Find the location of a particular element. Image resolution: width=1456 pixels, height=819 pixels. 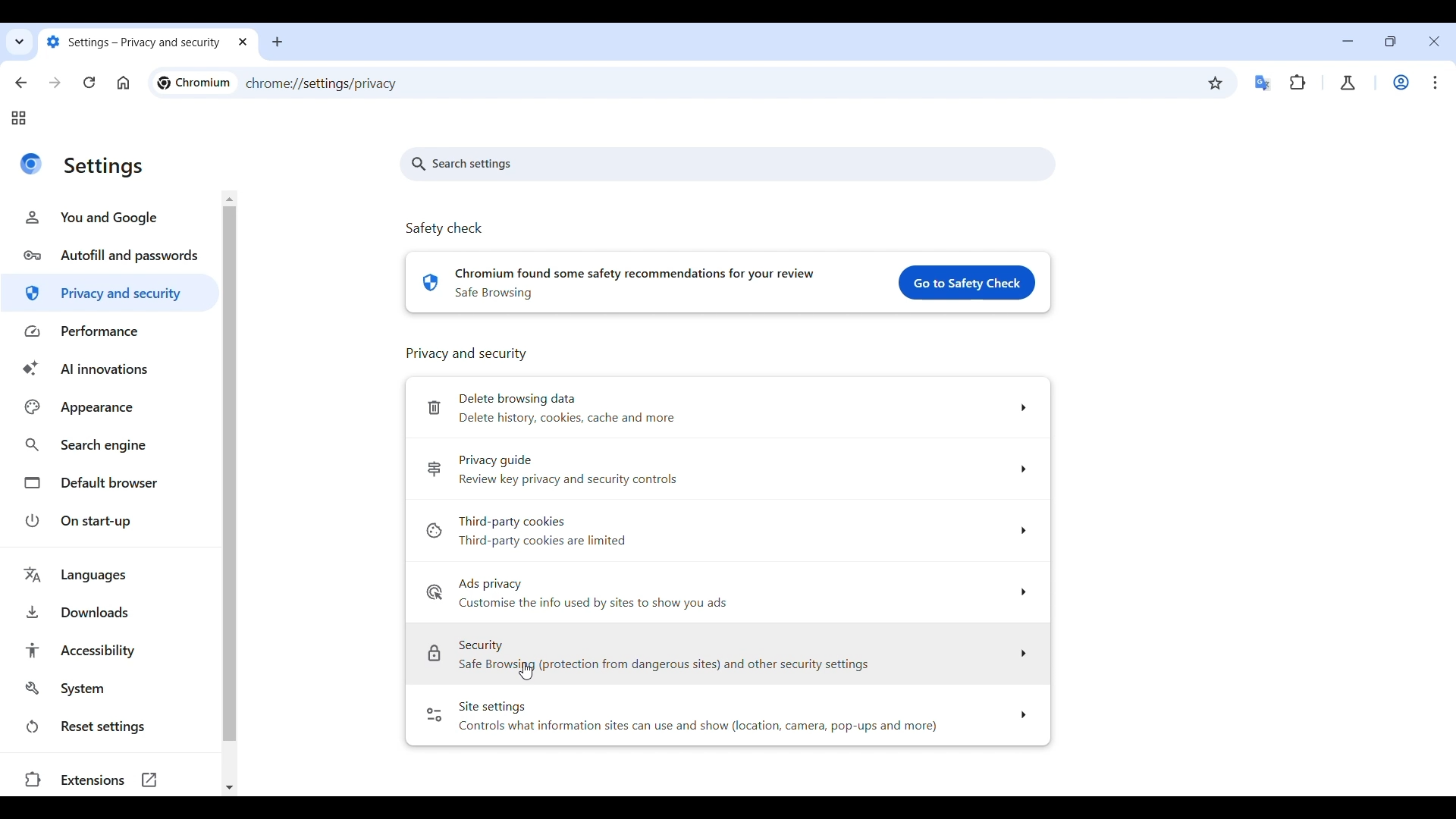

Cursor clicking on Security is located at coordinates (526, 676).